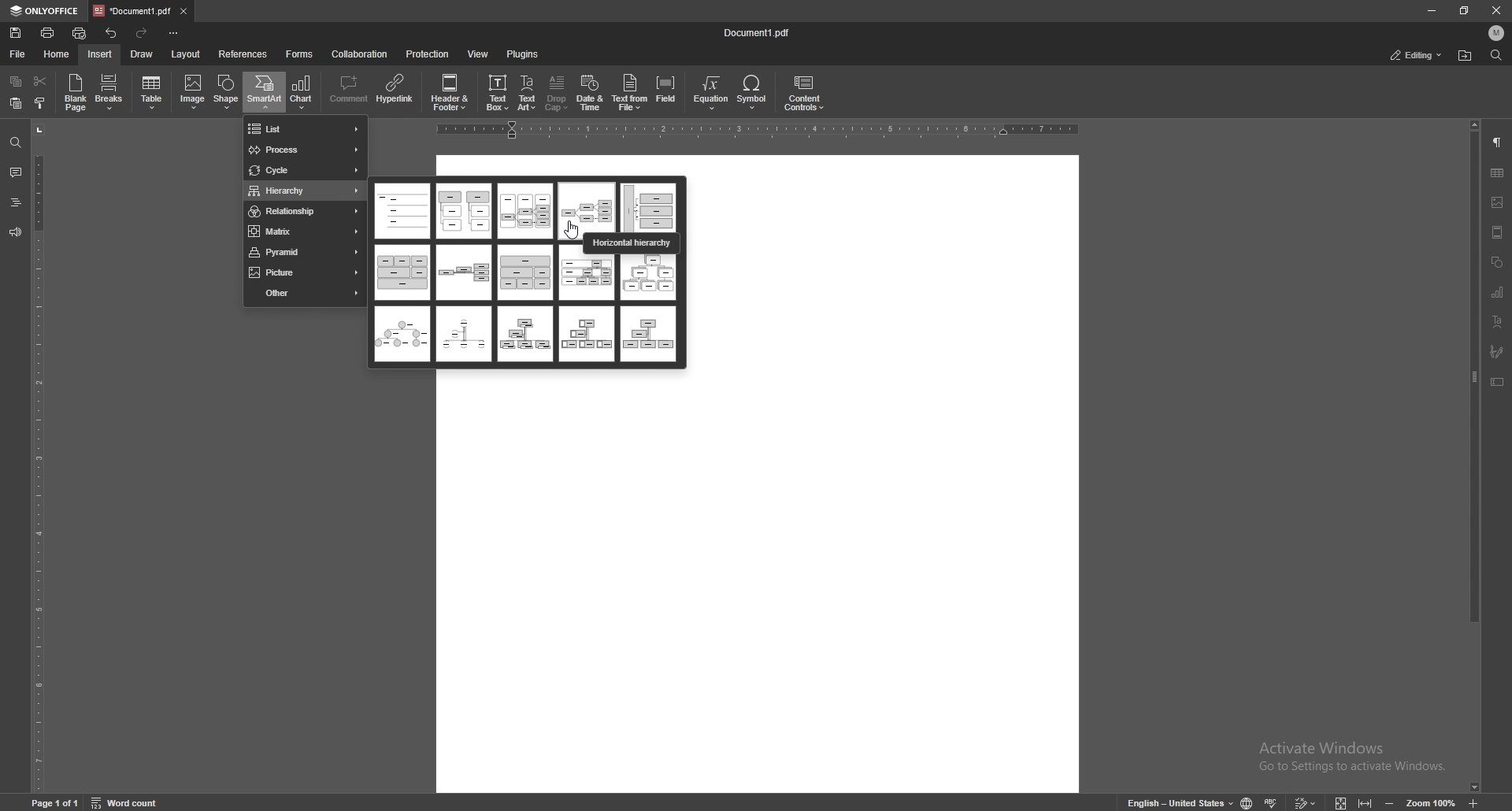 This screenshot has width=1512, height=811. Describe the element at coordinates (528, 93) in the screenshot. I see `text art` at that location.